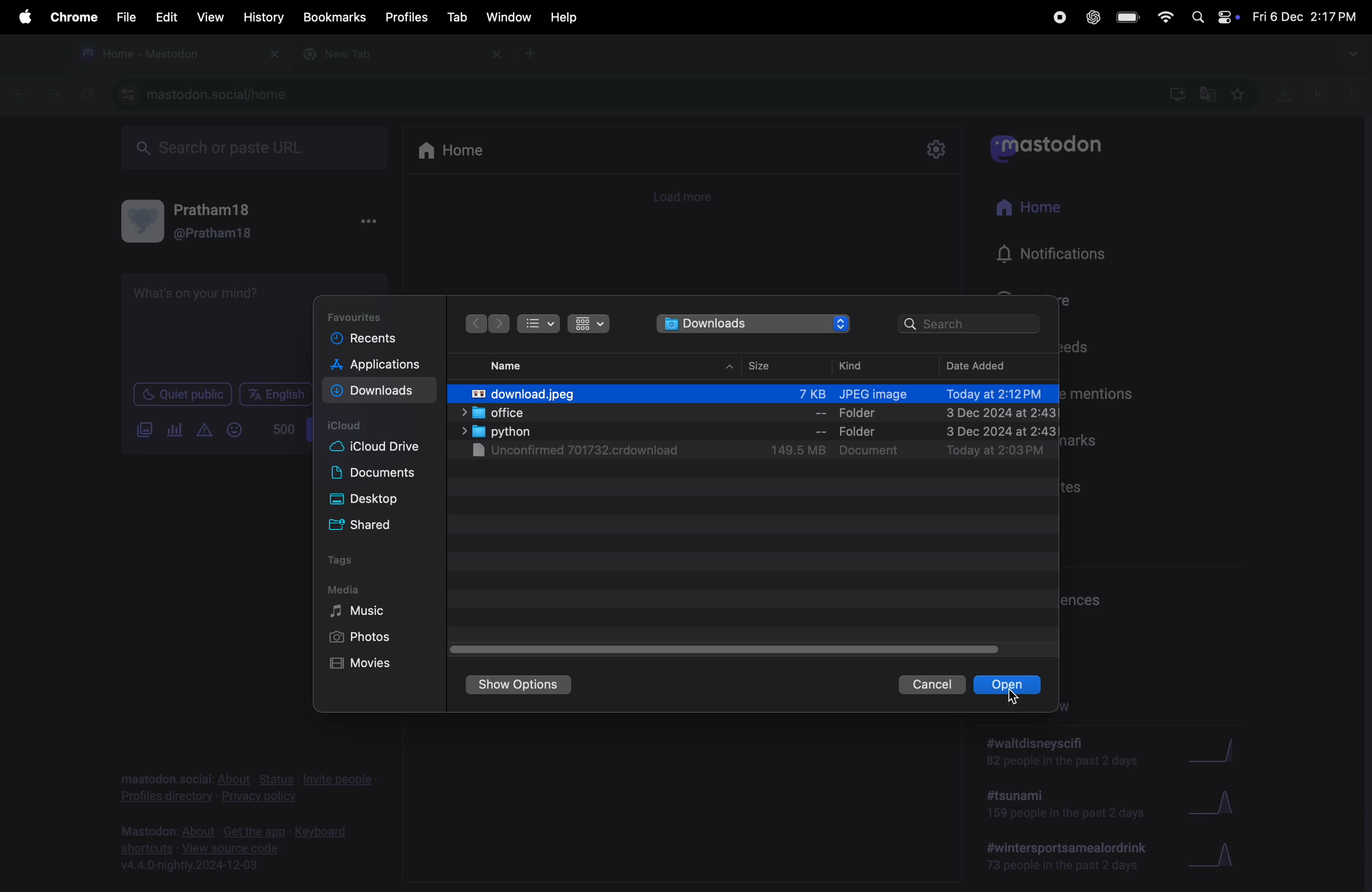 The image size is (1372, 892). What do you see at coordinates (72, 17) in the screenshot?
I see `chrome` at bounding box center [72, 17].